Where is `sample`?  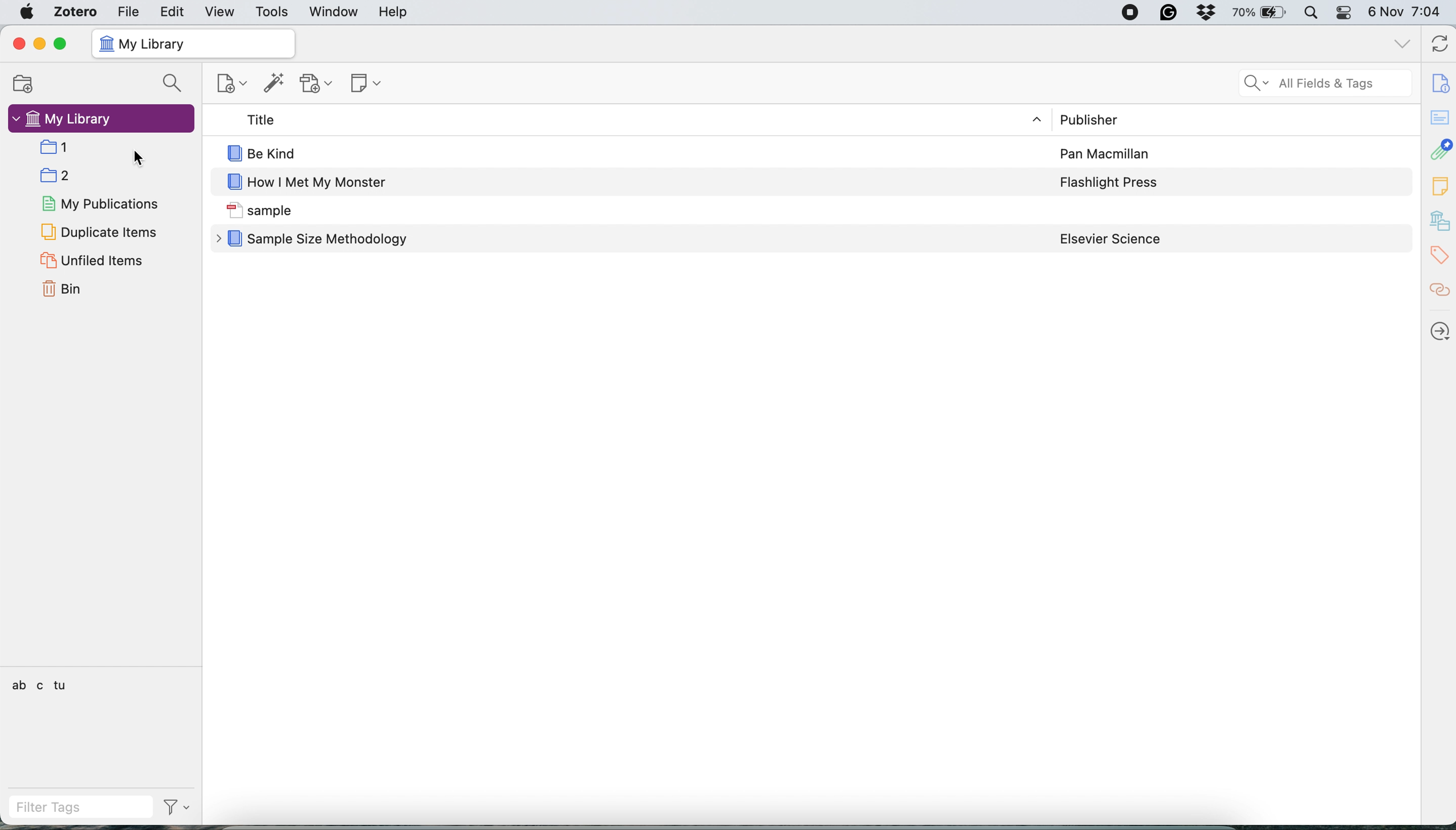 sample is located at coordinates (282, 211).